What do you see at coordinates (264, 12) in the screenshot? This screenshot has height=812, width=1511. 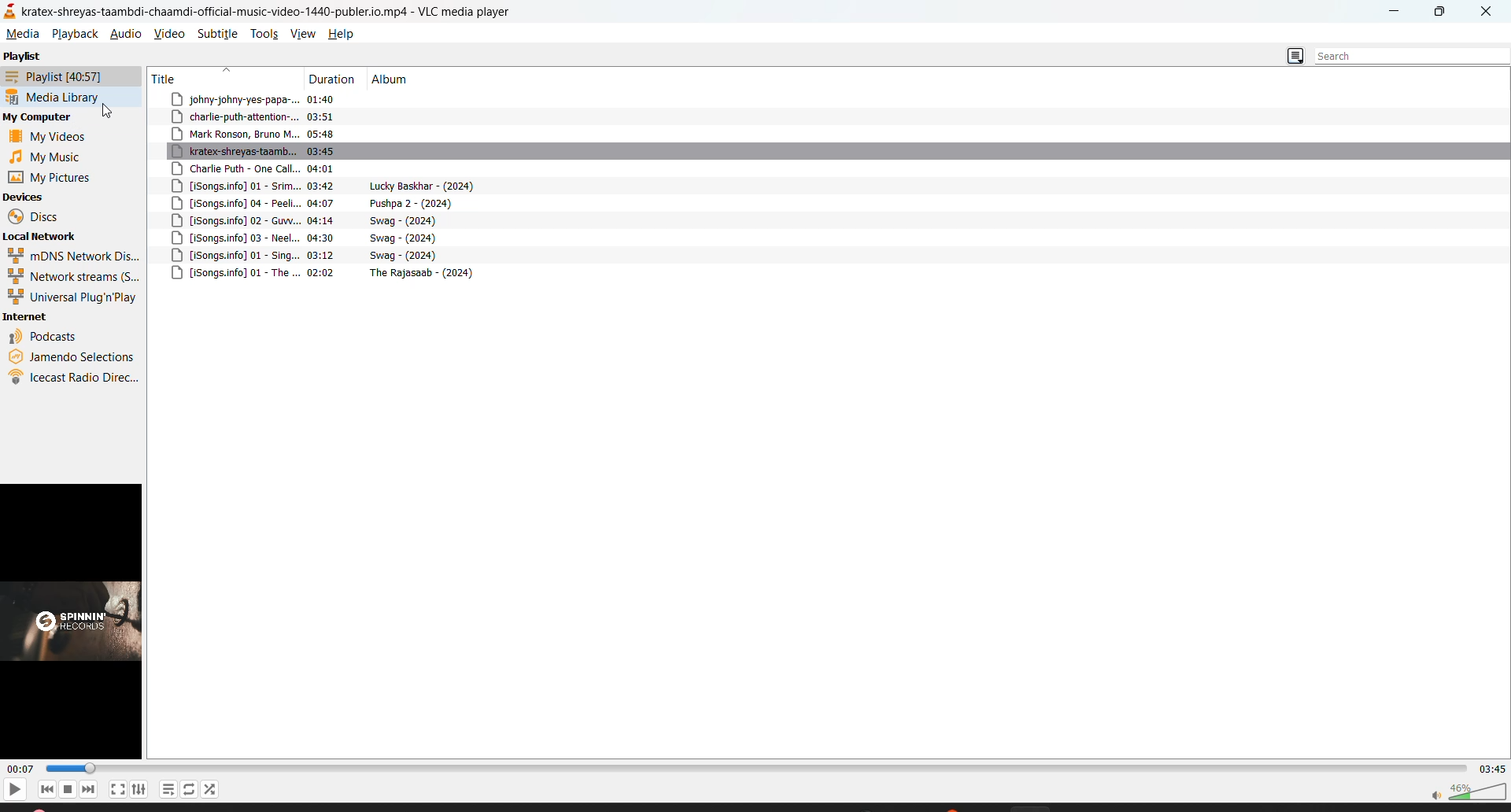 I see `kratex-shreyas-taambdi-chaamdi-official-music-video-1440-publer.io.mp4 - VLC media player` at bounding box center [264, 12].